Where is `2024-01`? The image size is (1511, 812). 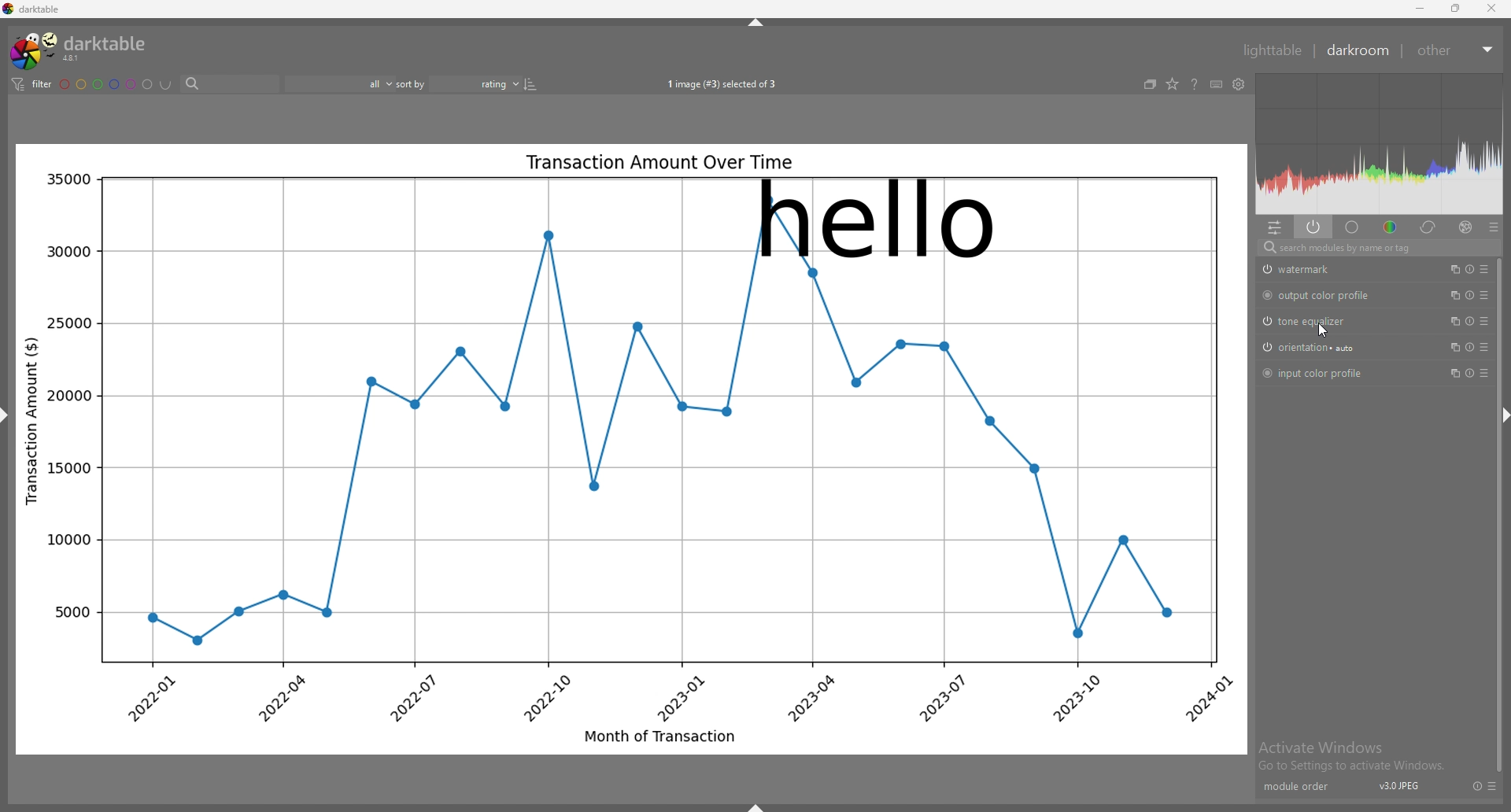 2024-01 is located at coordinates (1207, 699).